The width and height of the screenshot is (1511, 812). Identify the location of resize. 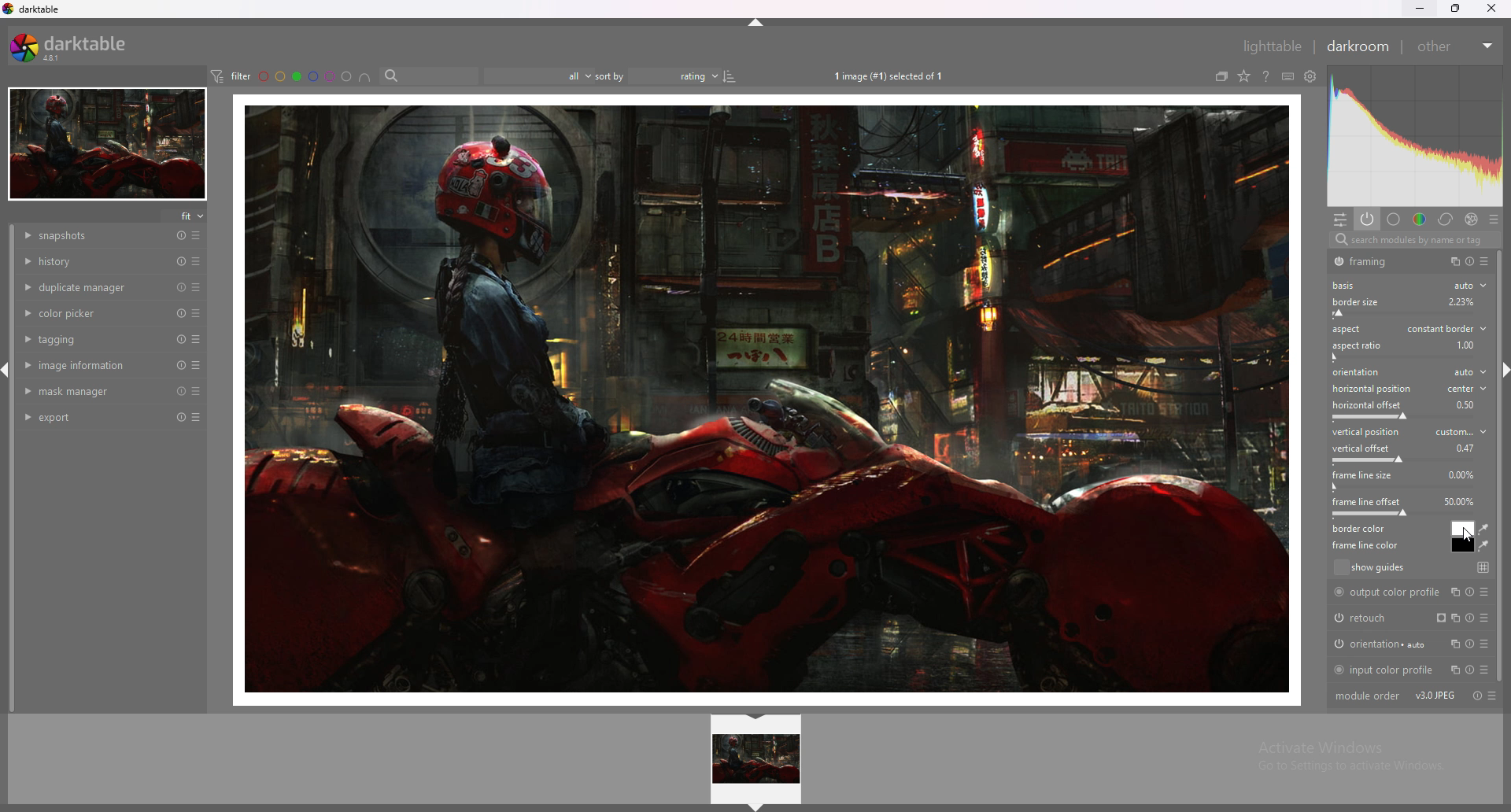
(1458, 8).